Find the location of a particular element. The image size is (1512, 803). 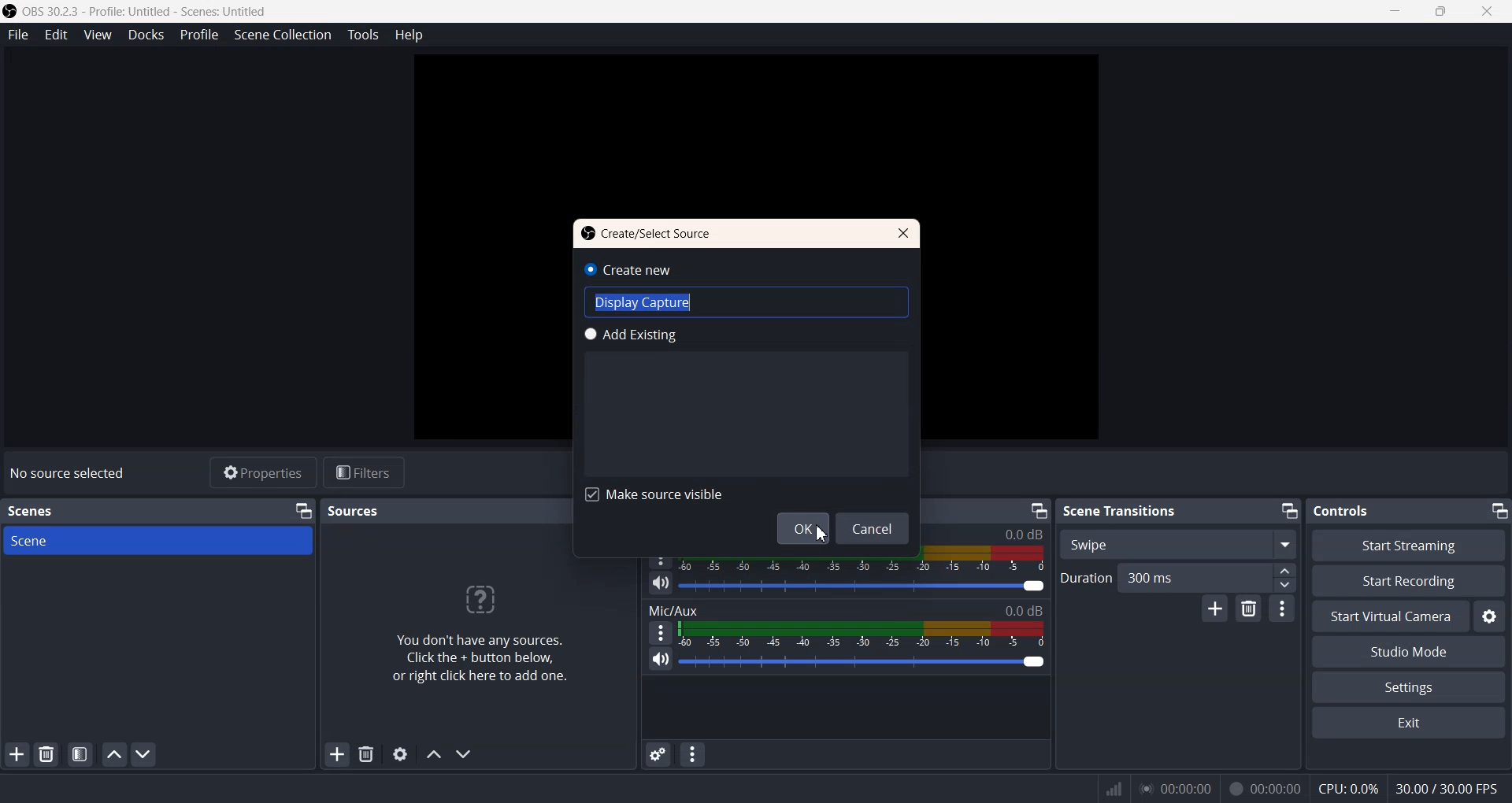

File is located at coordinates (17, 34).